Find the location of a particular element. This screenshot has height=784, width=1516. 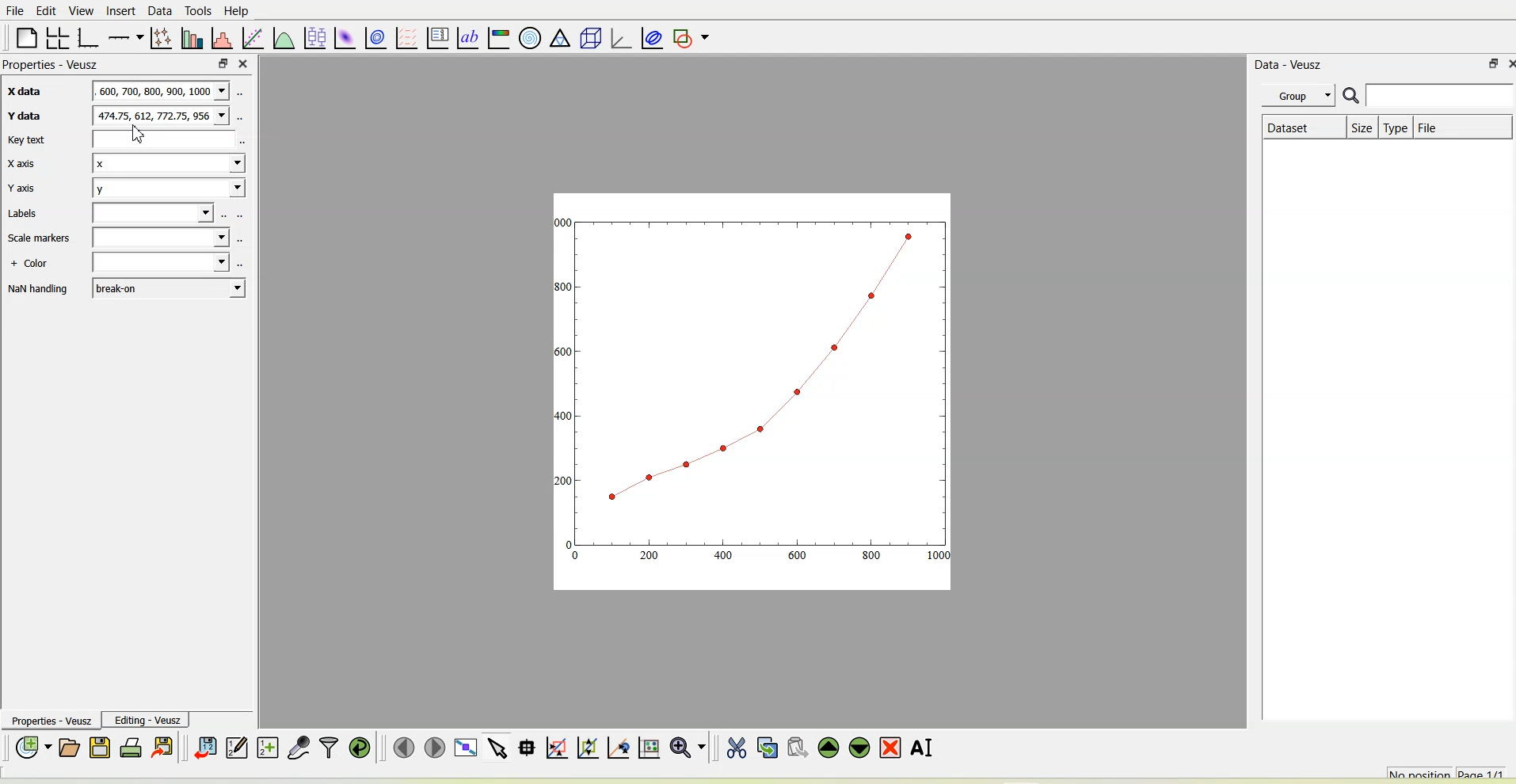

Blank is located at coordinates (161, 238).